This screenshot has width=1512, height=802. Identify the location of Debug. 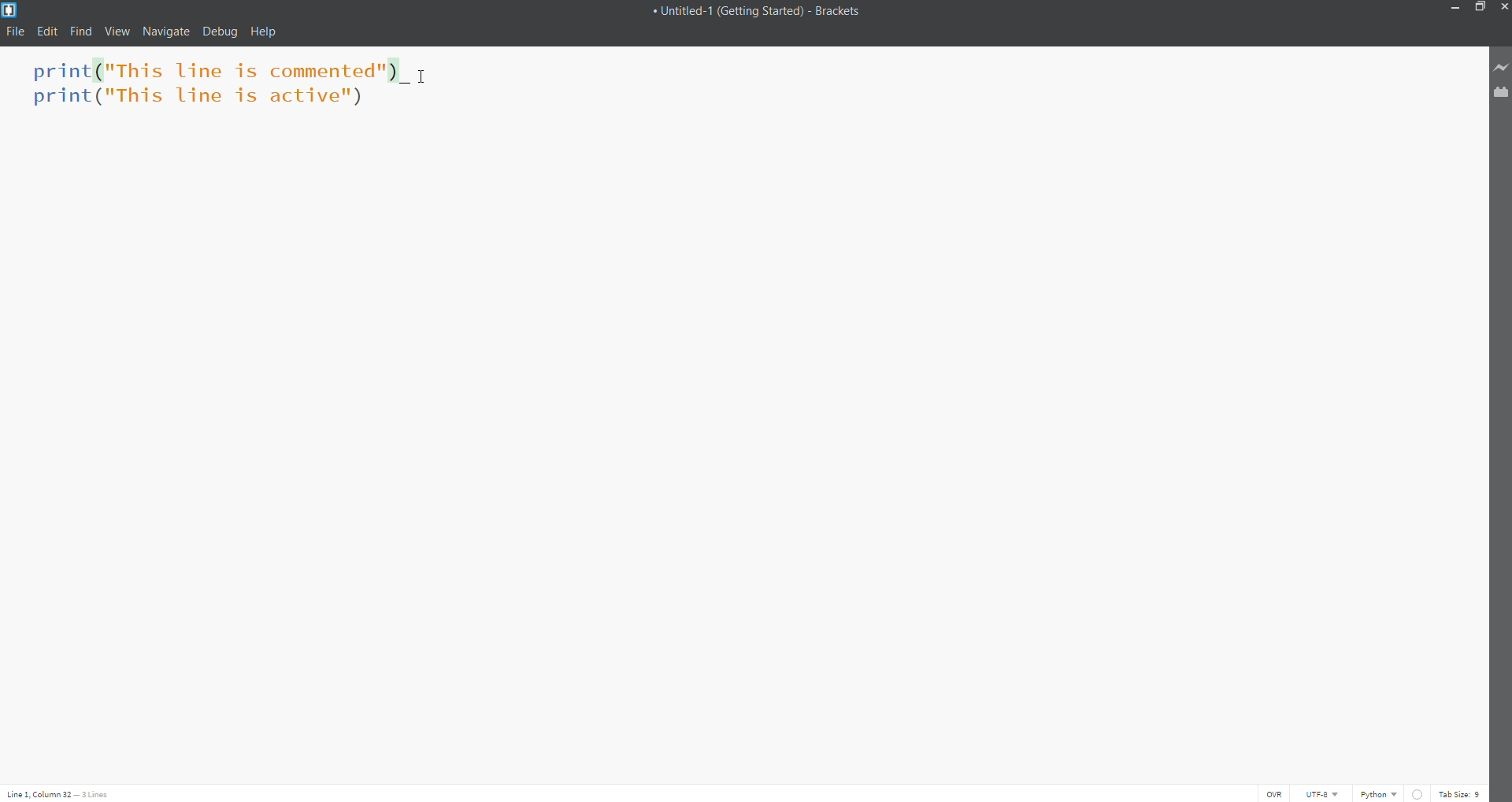
(221, 33).